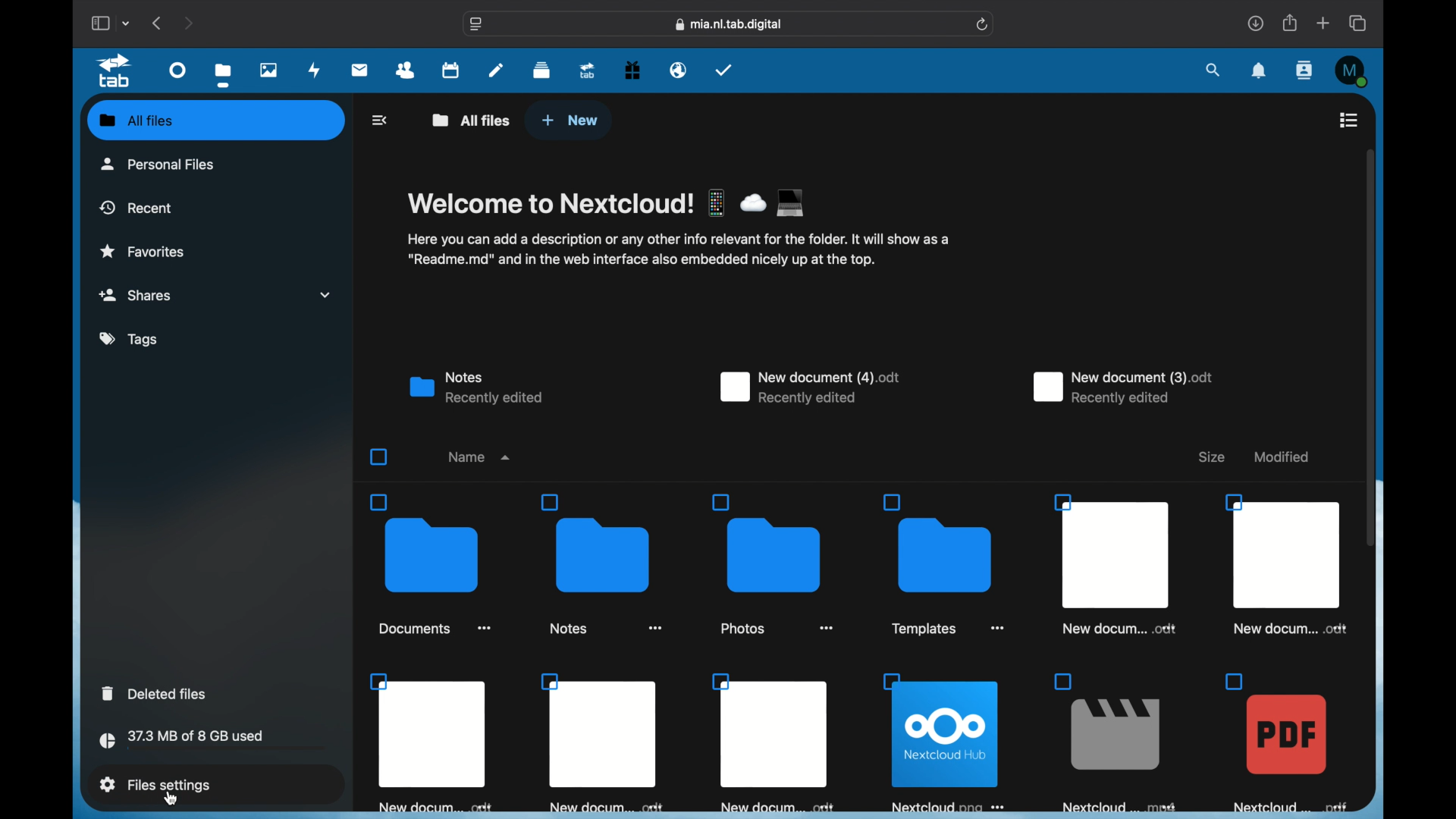 The width and height of the screenshot is (1456, 819). I want to click on tab, so click(115, 71).